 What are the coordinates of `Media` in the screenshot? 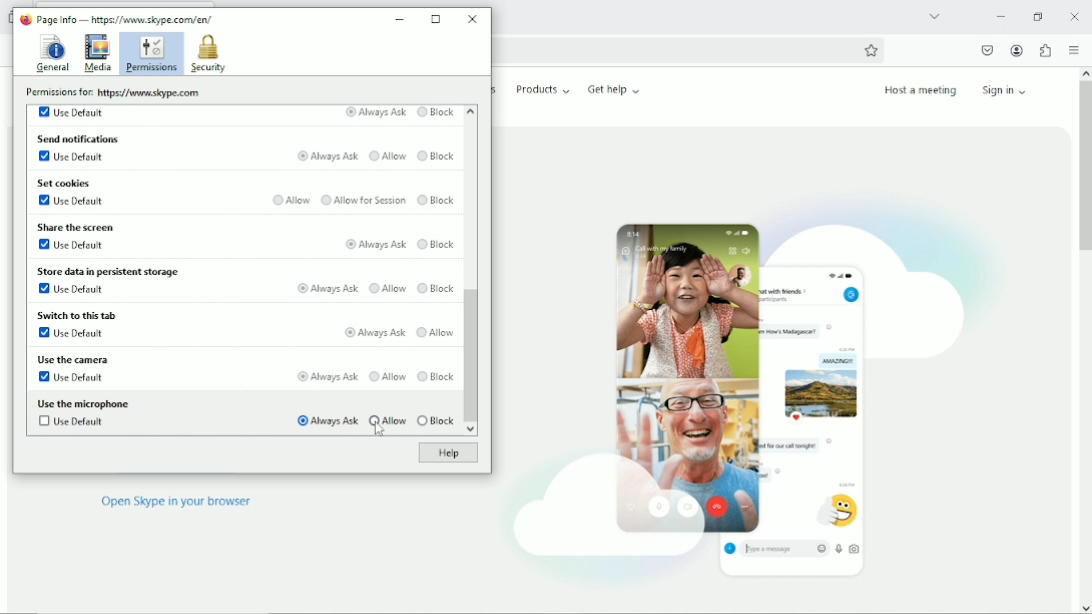 It's located at (97, 53).